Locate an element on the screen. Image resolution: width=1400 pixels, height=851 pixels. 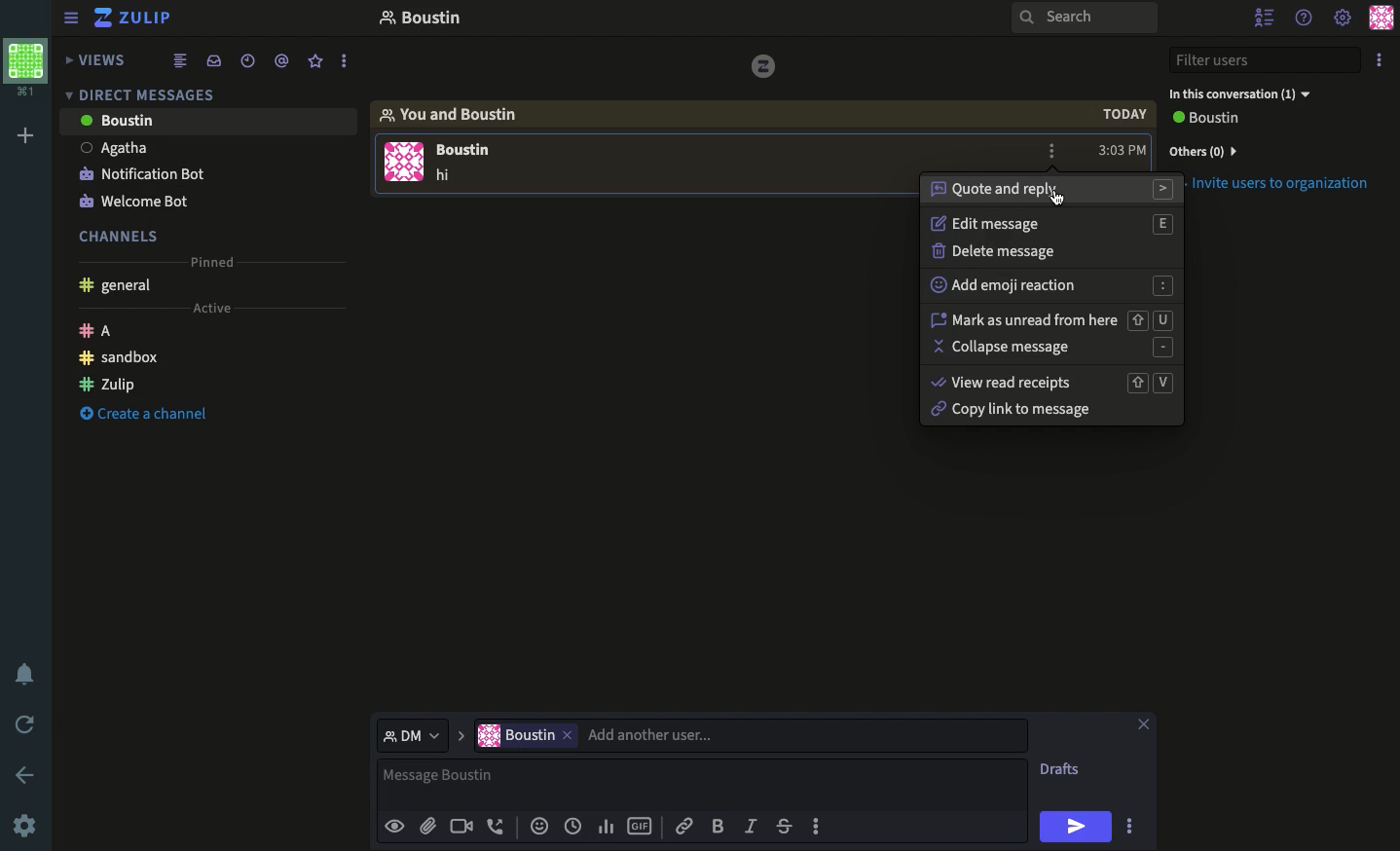
Close is located at coordinates (1145, 722).